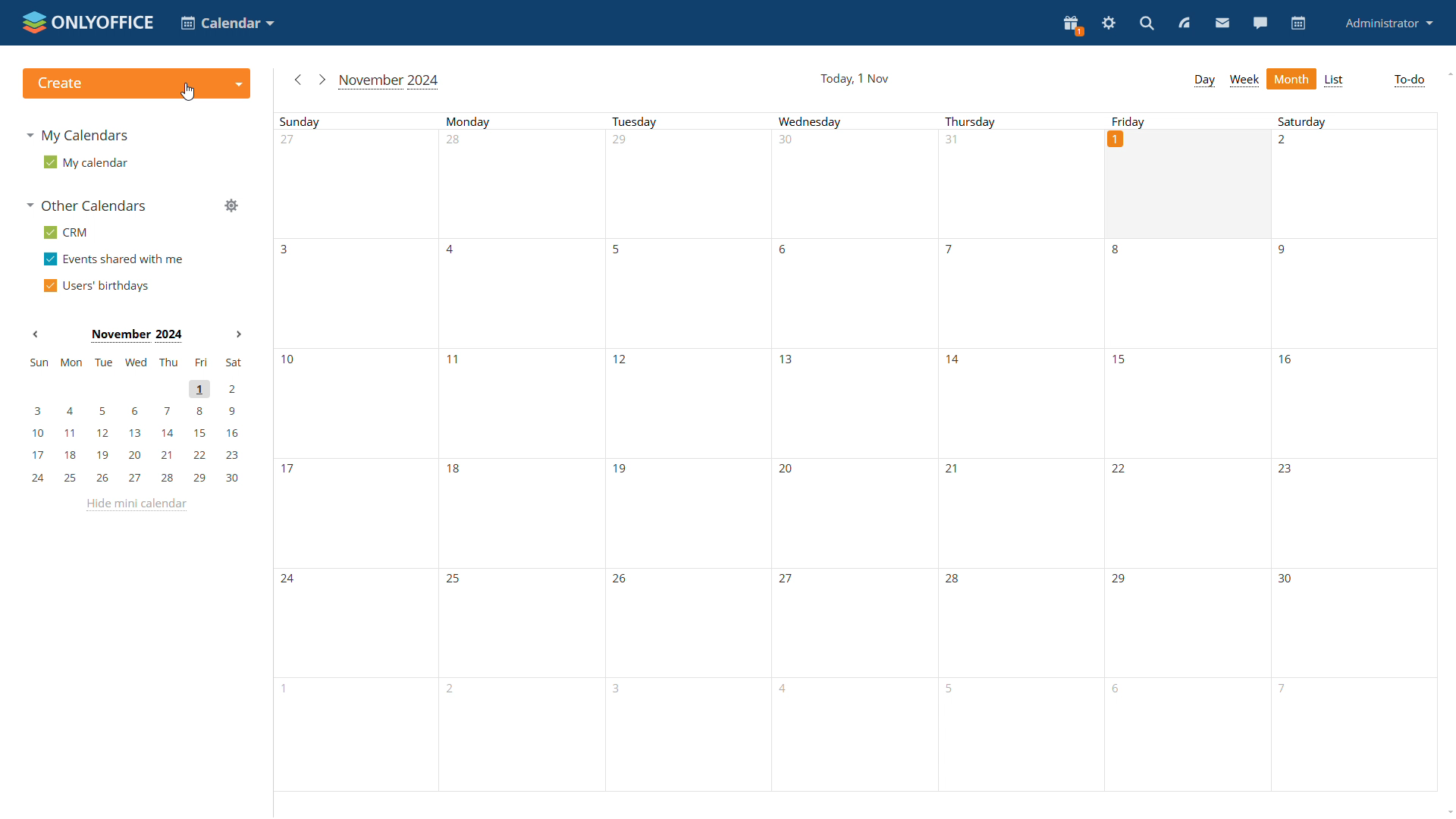 The image size is (1456, 819). What do you see at coordinates (238, 334) in the screenshot?
I see `Next month` at bounding box center [238, 334].